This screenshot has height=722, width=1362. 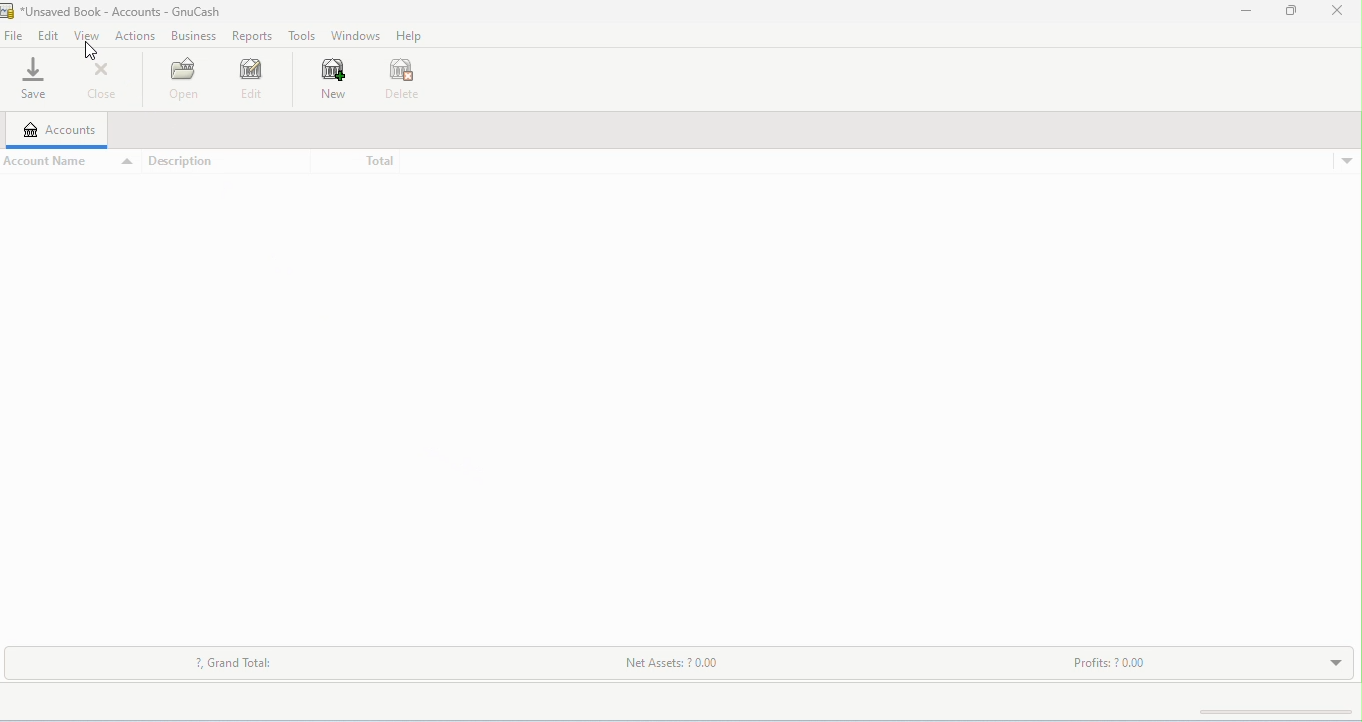 I want to click on business, so click(x=195, y=35).